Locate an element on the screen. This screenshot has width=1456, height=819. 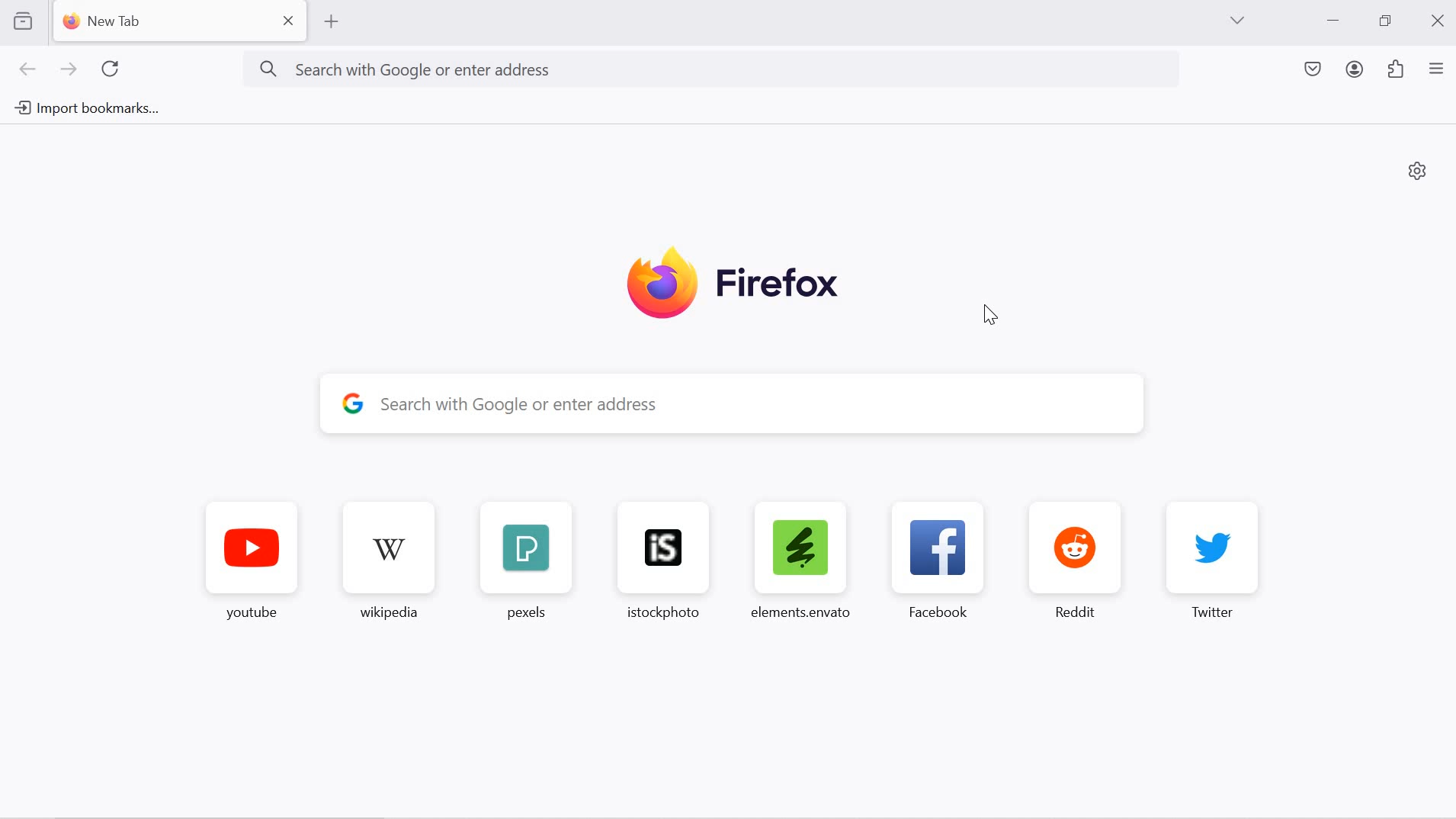
account is located at coordinates (1356, 68).